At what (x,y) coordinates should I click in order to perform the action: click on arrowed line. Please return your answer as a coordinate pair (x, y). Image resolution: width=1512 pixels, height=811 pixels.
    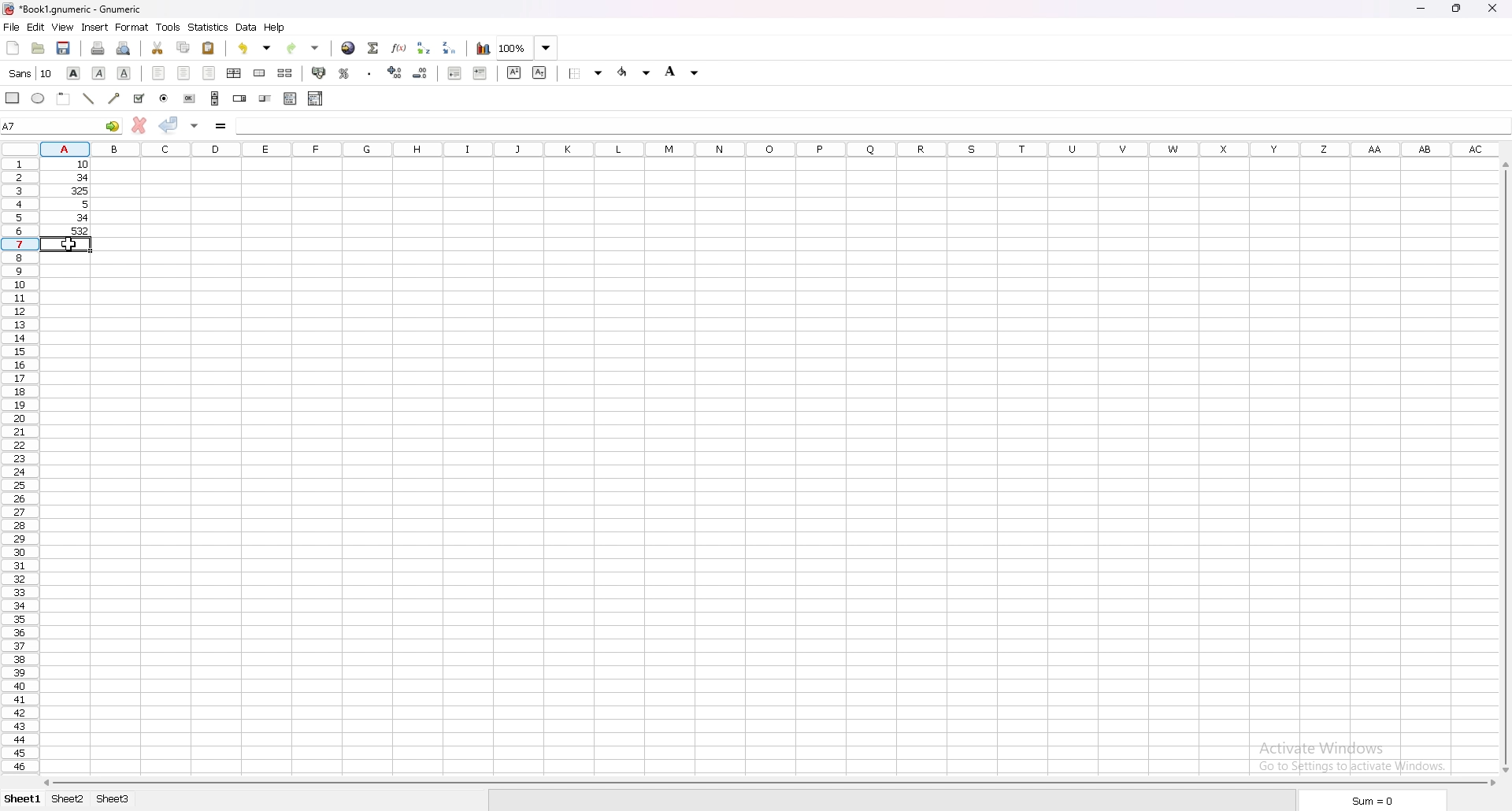
    Looking at the image, I should click on (114, 98).